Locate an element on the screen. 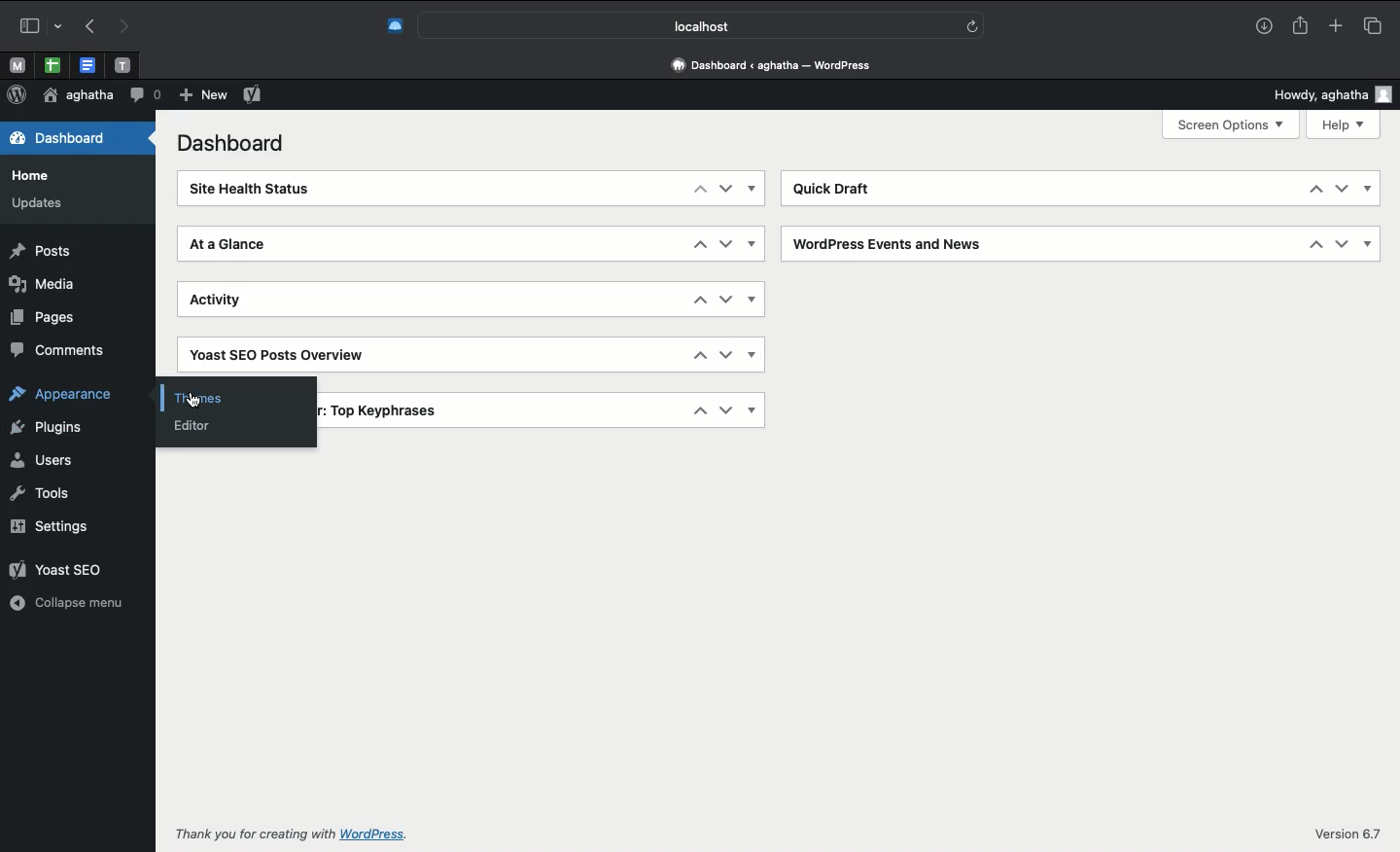 This screenshot has width=1400, height=852. cursor is located at coordinates (191, 402).